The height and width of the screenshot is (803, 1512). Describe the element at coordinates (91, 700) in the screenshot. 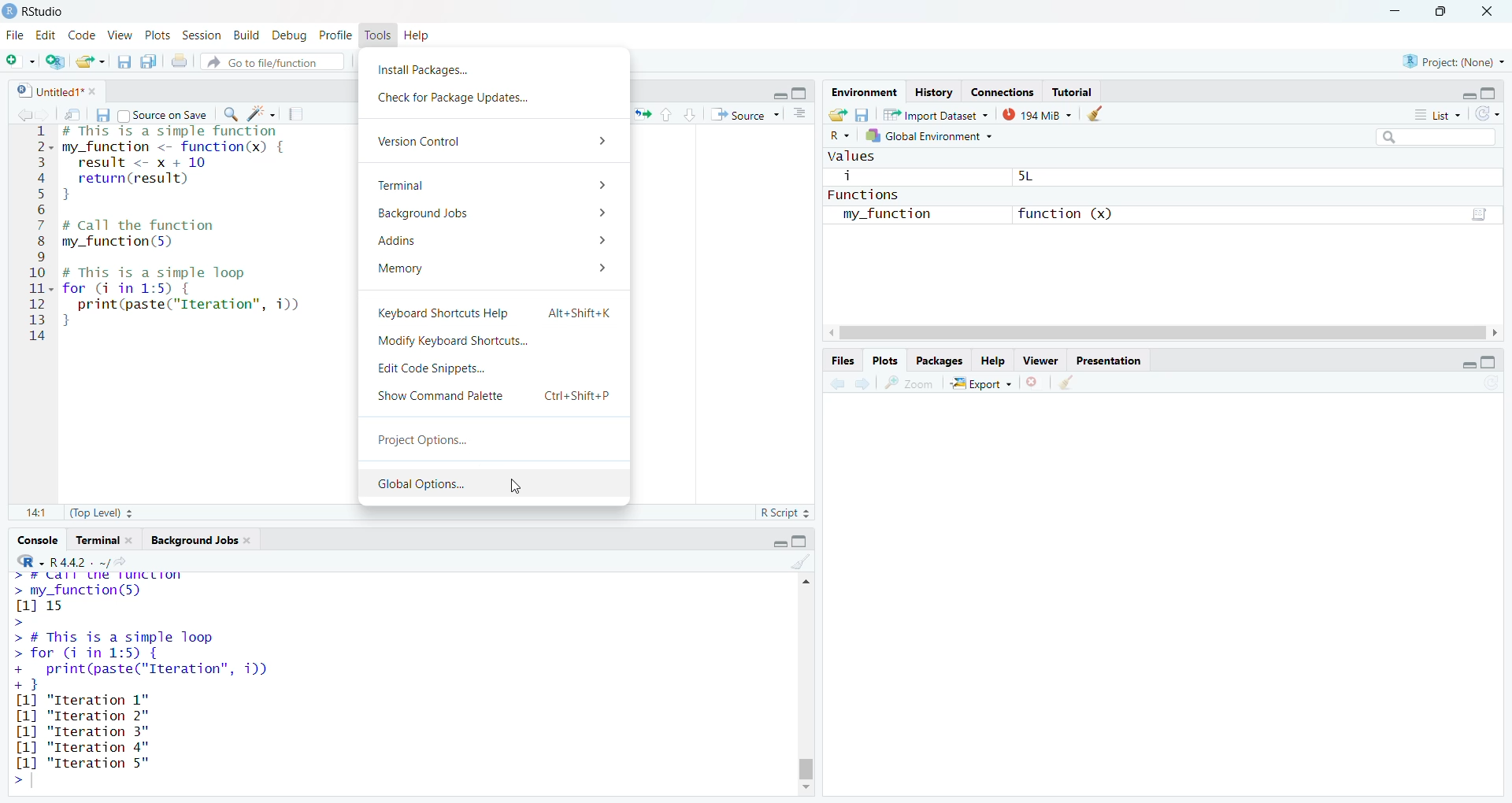

I see `[1] "Iteration 1"` at that location.